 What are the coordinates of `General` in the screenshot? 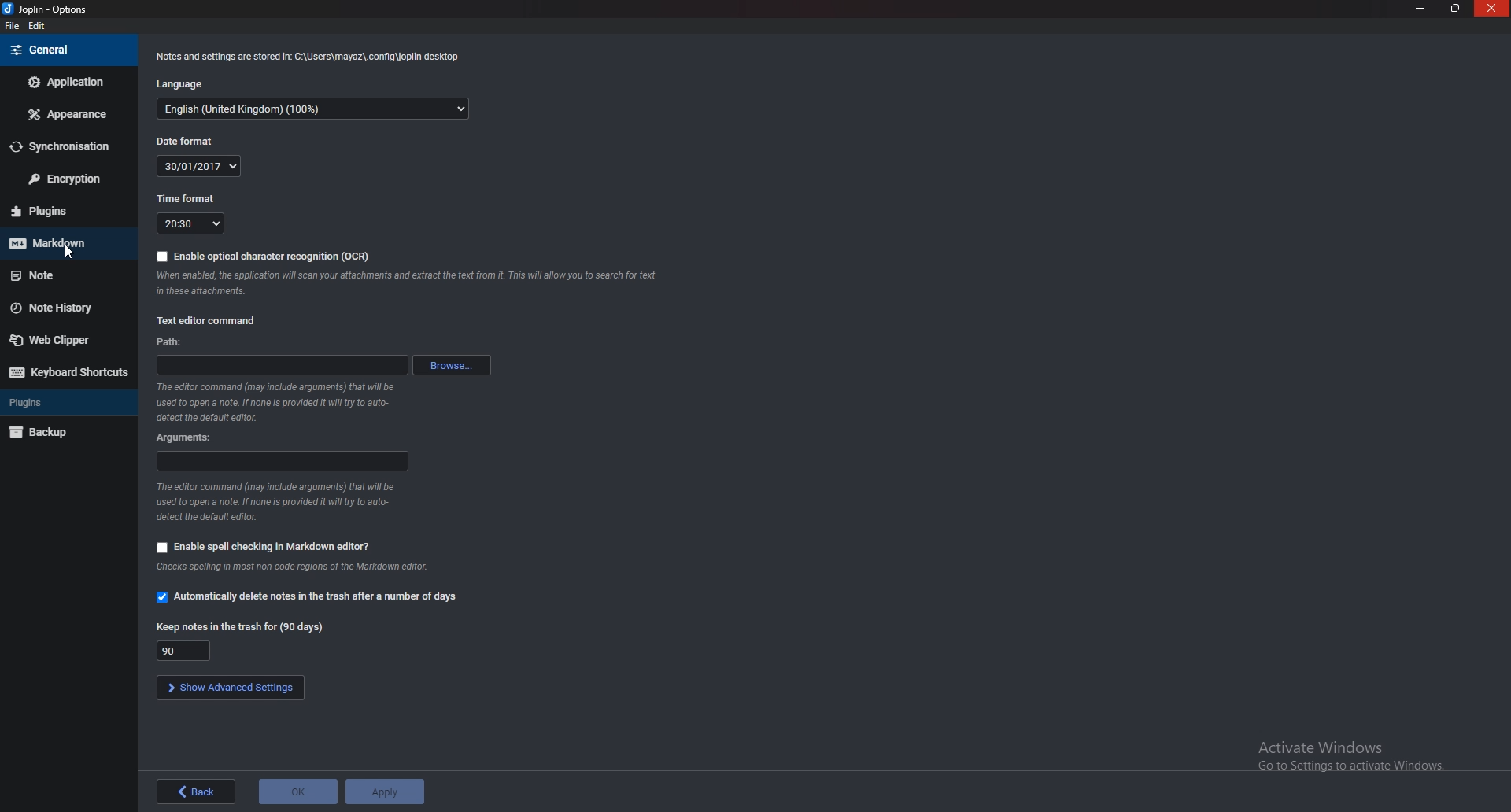 It's located at (65, 50).